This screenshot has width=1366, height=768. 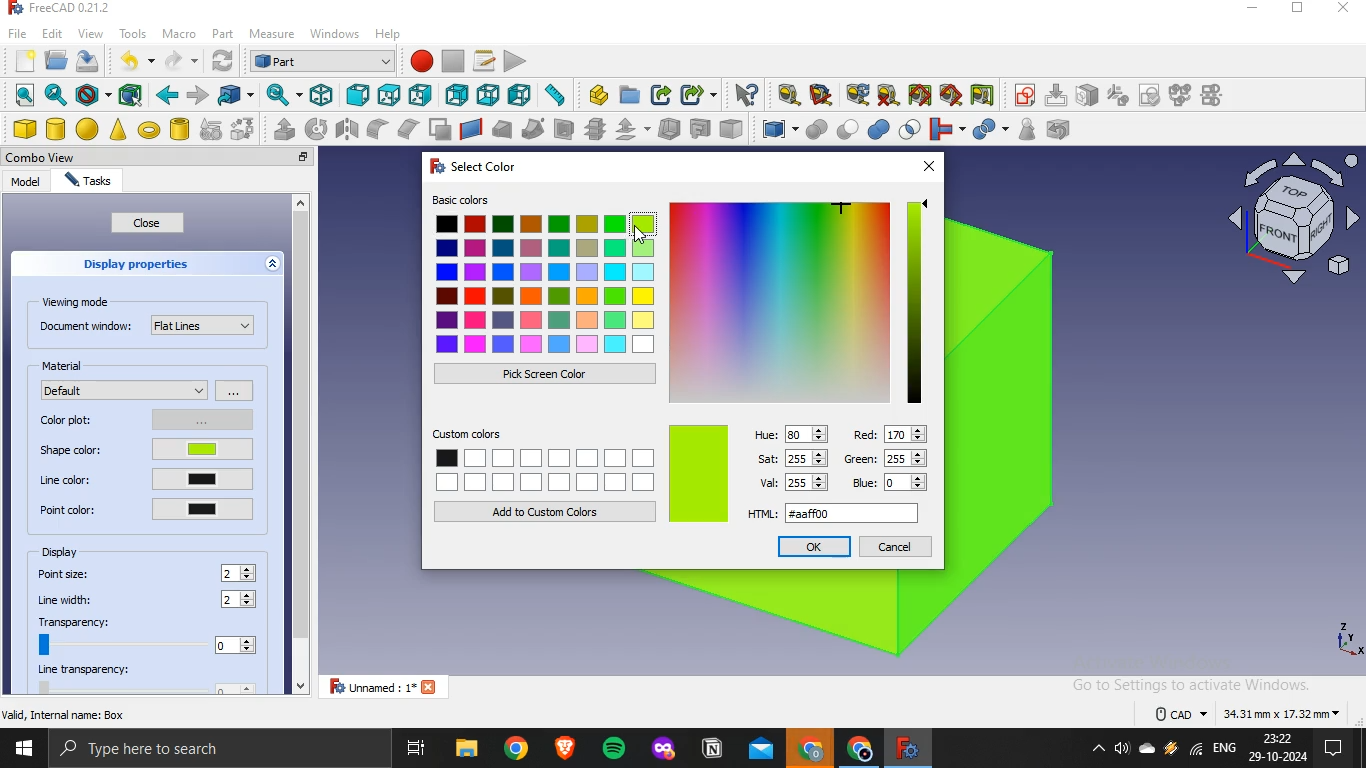 What do you see at coordinates (147, 479) in the screenshot?
I see `line color` at bounding box center [147, 479].